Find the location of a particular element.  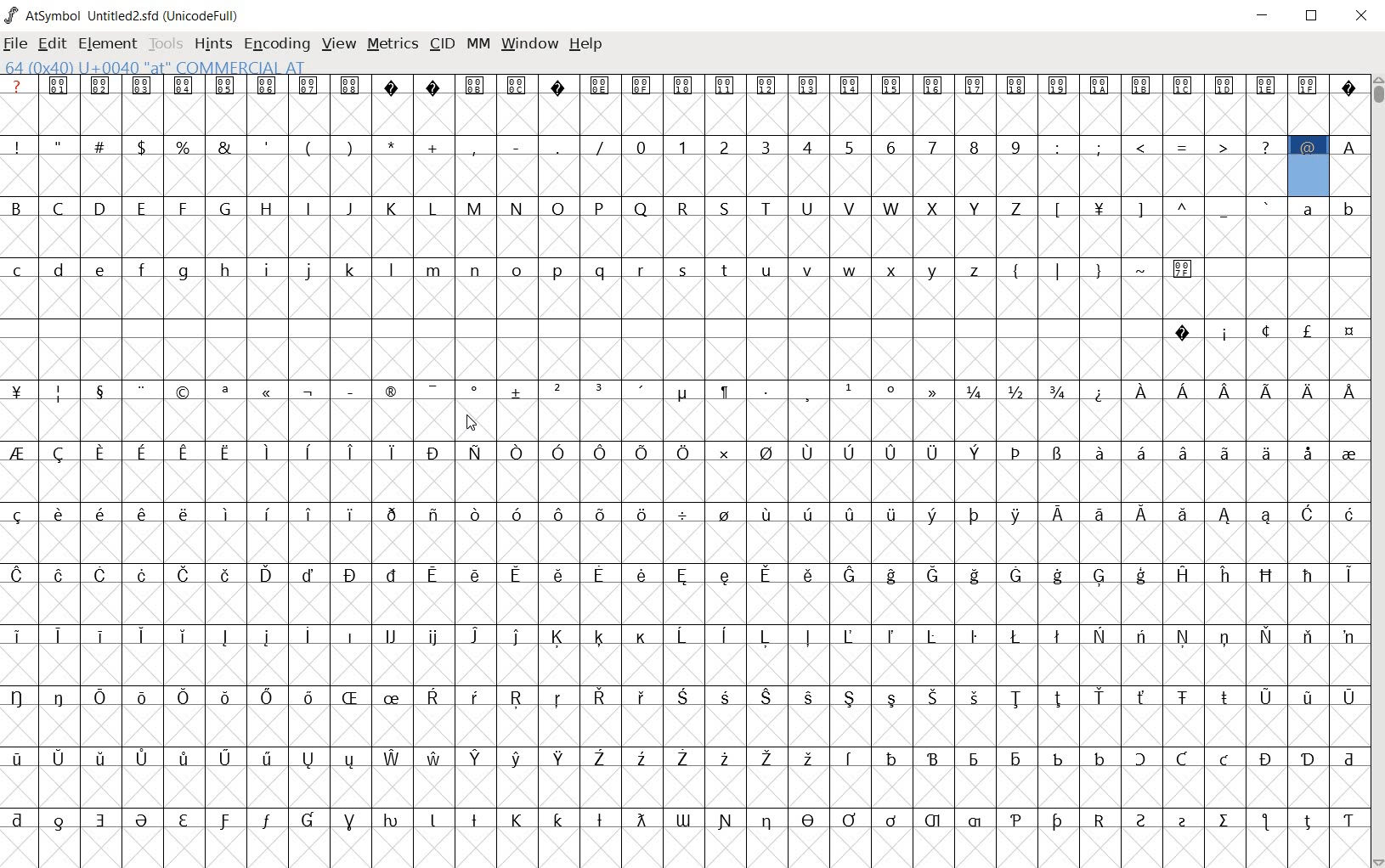

minimize is located at coordinates (1263, 15).